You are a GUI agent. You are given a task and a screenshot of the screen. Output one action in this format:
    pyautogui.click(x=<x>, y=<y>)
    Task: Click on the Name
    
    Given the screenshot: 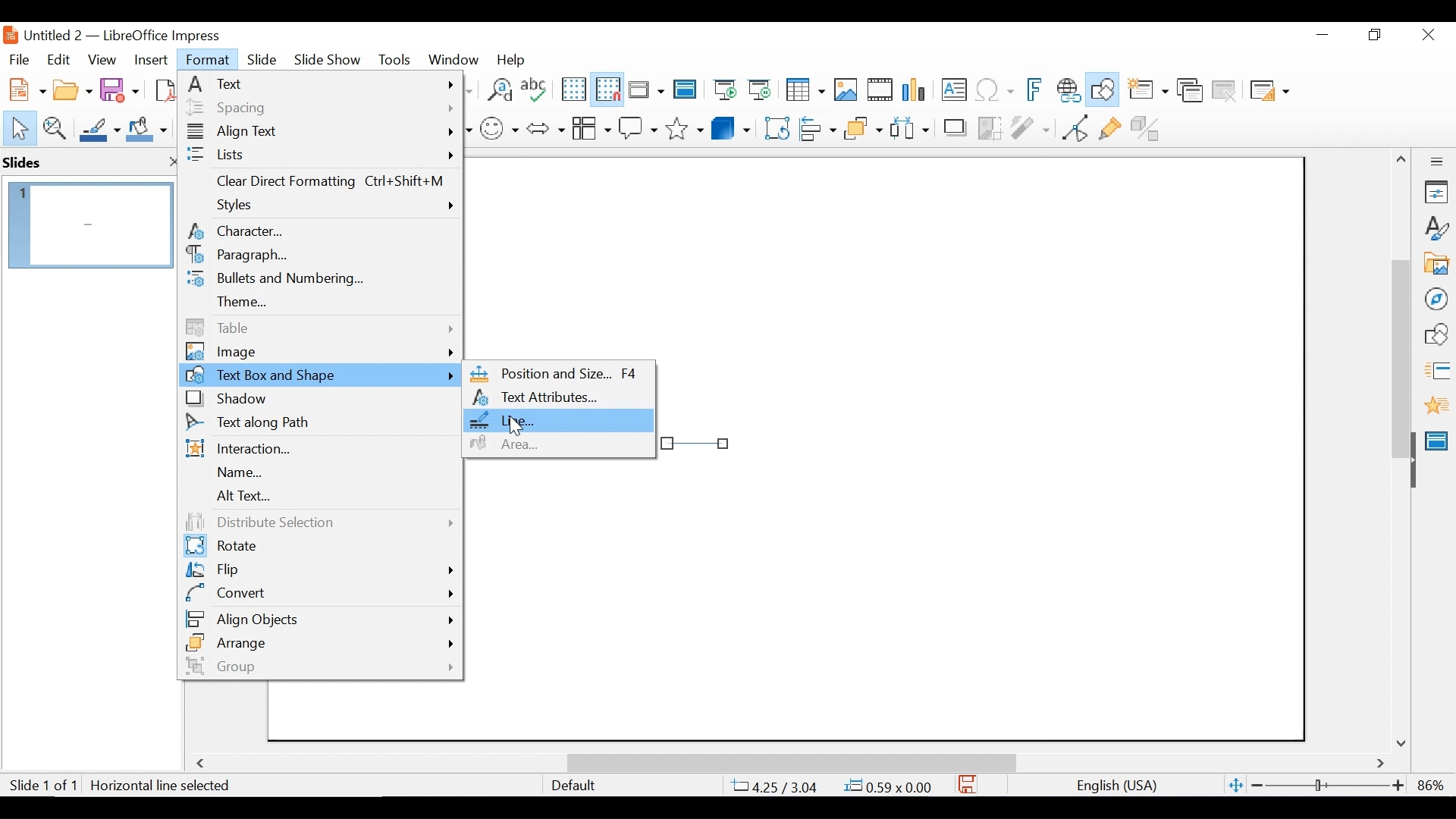 What is the action you would take?
    pyautogui.click(x=318, y=473)
    